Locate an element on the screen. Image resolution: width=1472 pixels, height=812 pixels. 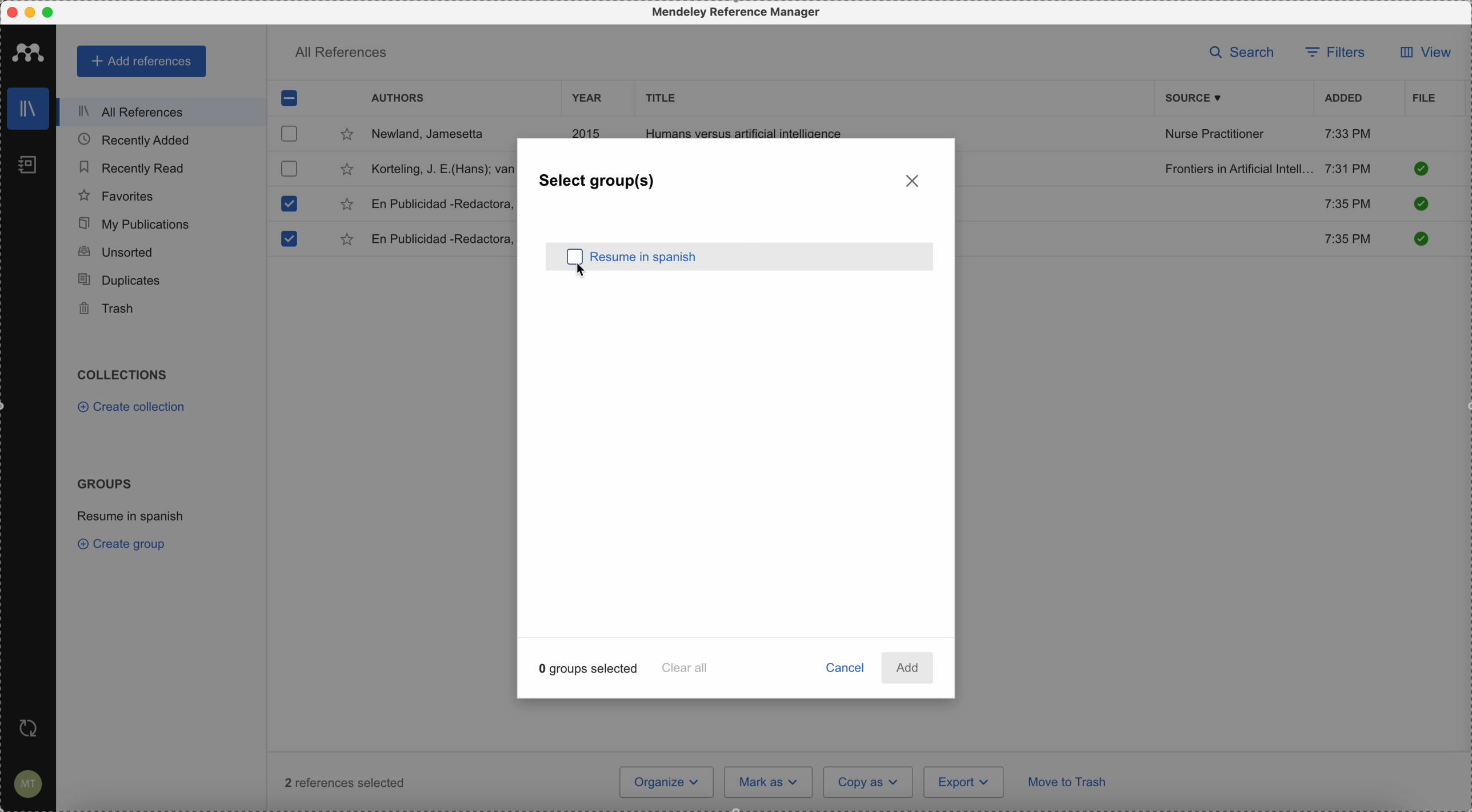
export is located at coordinates (963, 782).